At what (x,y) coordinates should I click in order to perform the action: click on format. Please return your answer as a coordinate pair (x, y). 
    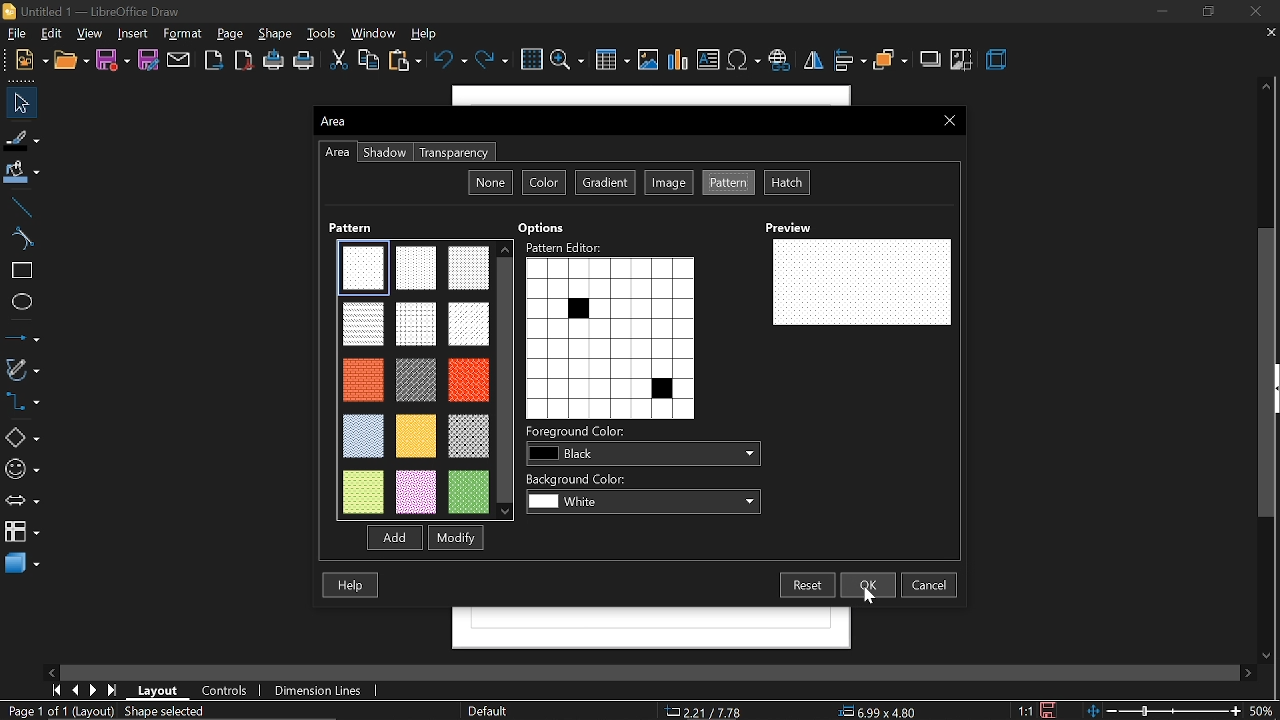
    Looking at the image, I should click on (186, 33).